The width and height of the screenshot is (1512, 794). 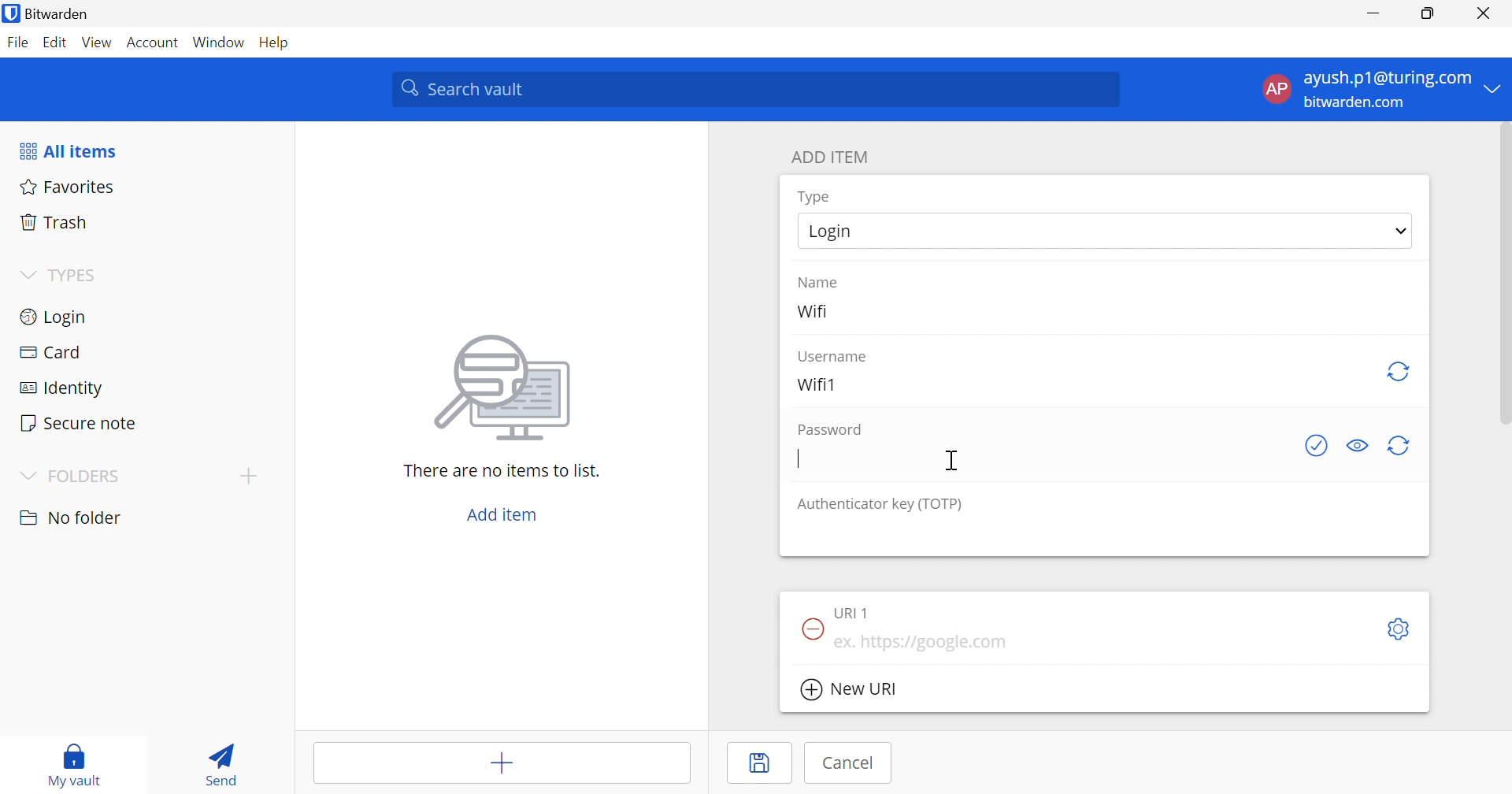 I want to click on Help, so click(x=278, y=42).